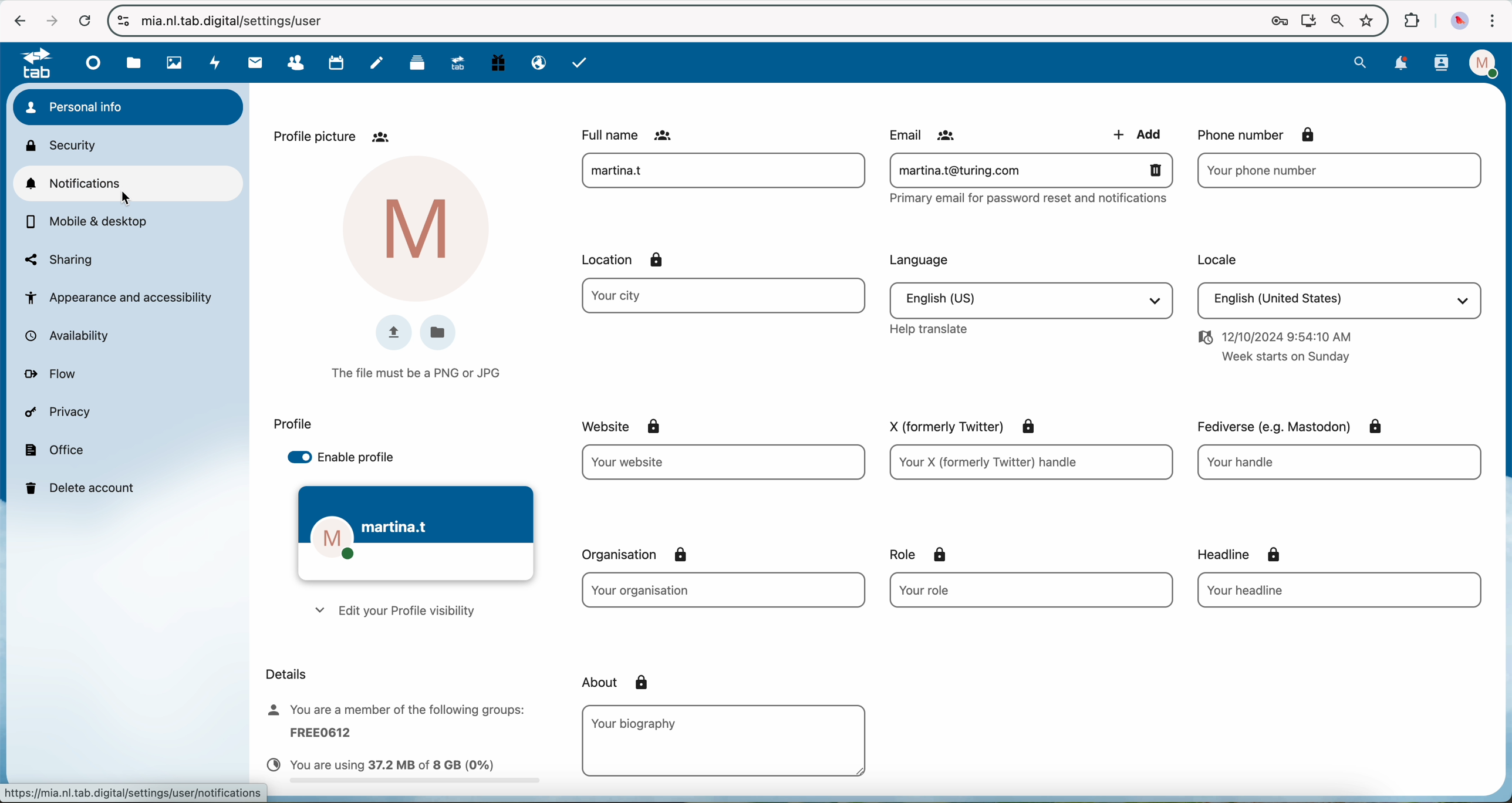 This screenshot has width=1512, height=803. What do you see at coordinates (1034, 463) in the screenshot?
I see `X` at bounding box center [1034, 463].